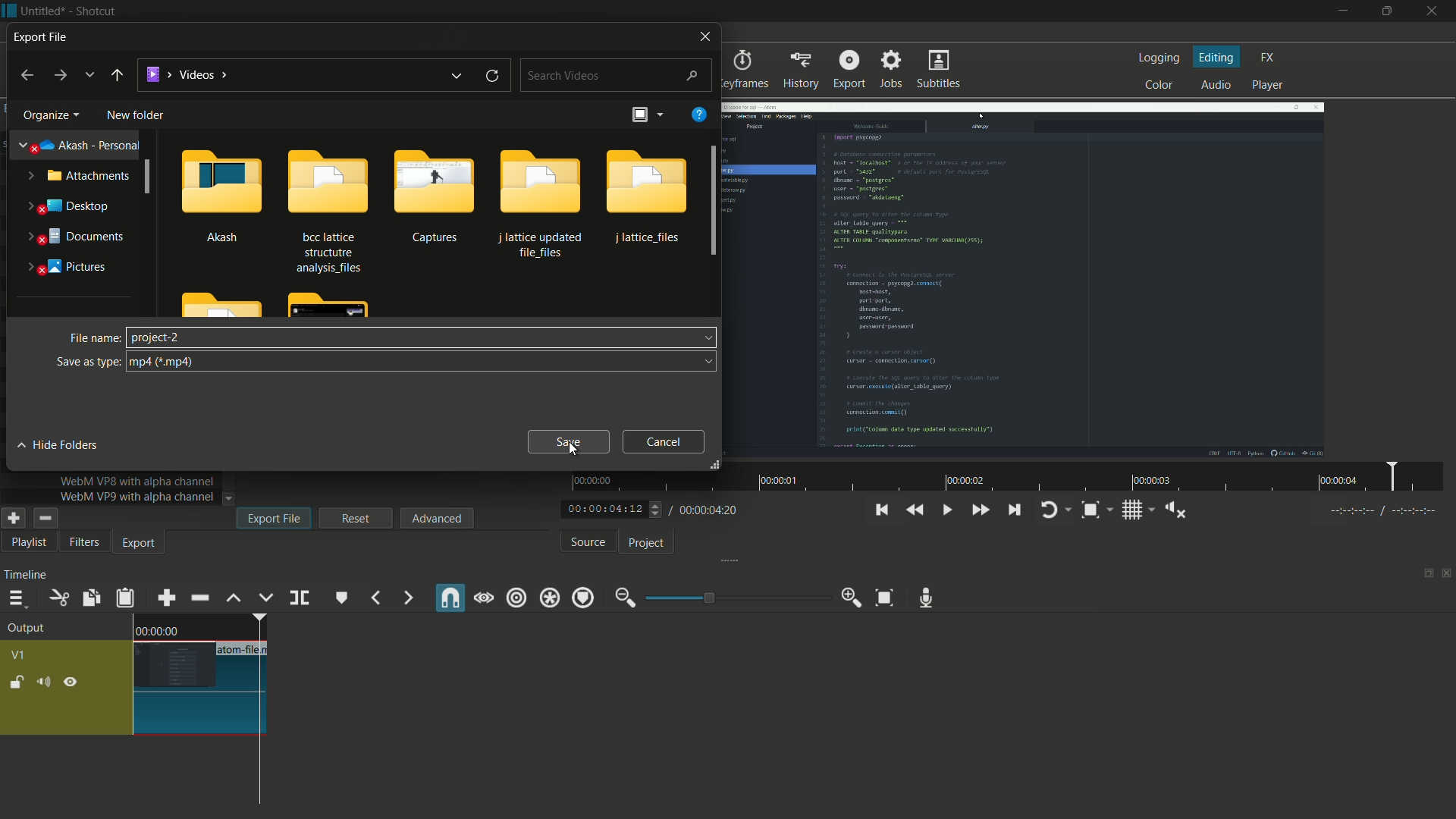  What do you see at coordinates (52, 36) in the screenshot?
I see `export` at bounding box center [52, 36].